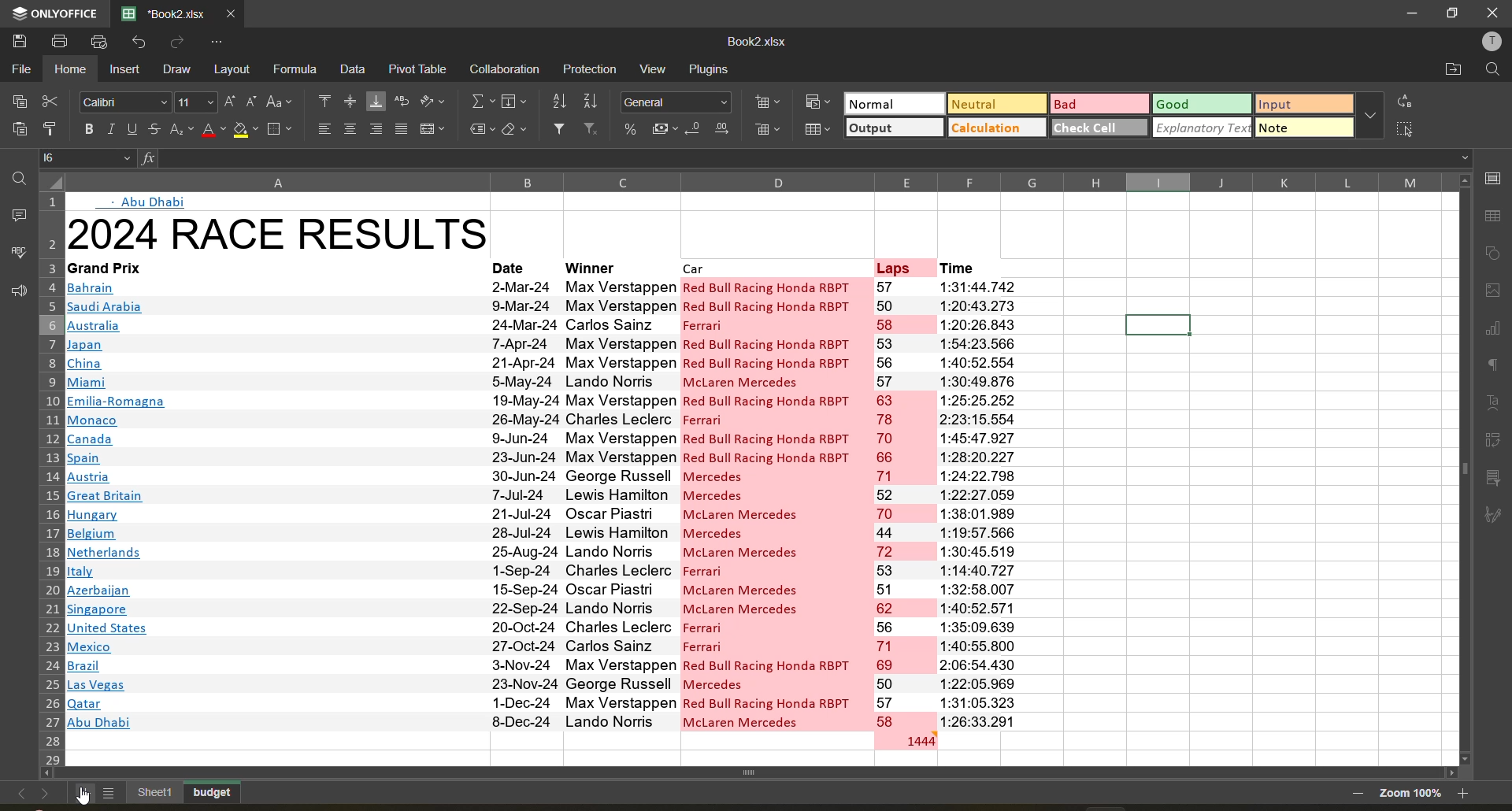 Image resolution: width=1512 pixels, height=811 pixels. I want to click on print, so click(61, 43).